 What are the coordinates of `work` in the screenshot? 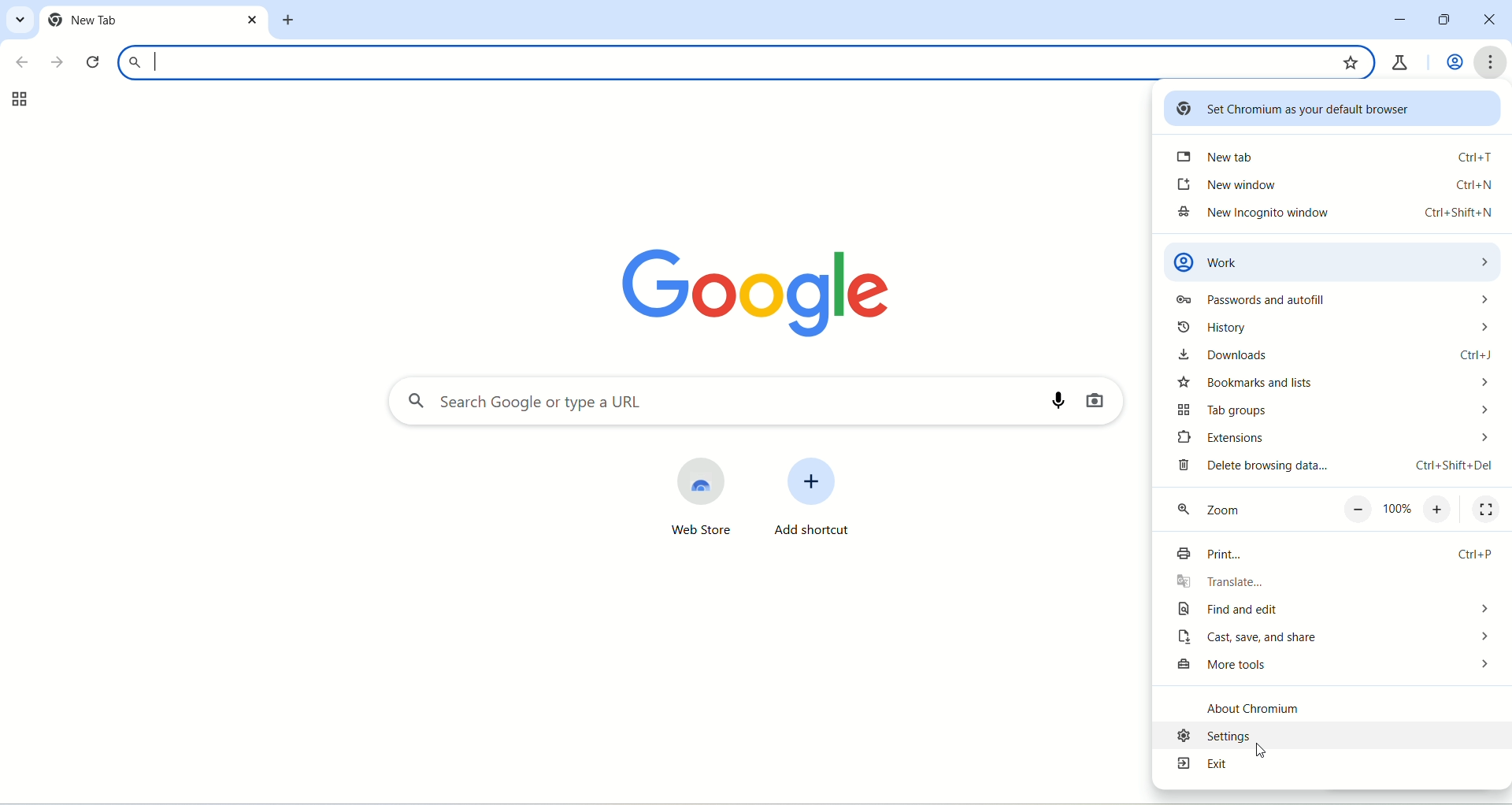 It's located at (1450, 62).